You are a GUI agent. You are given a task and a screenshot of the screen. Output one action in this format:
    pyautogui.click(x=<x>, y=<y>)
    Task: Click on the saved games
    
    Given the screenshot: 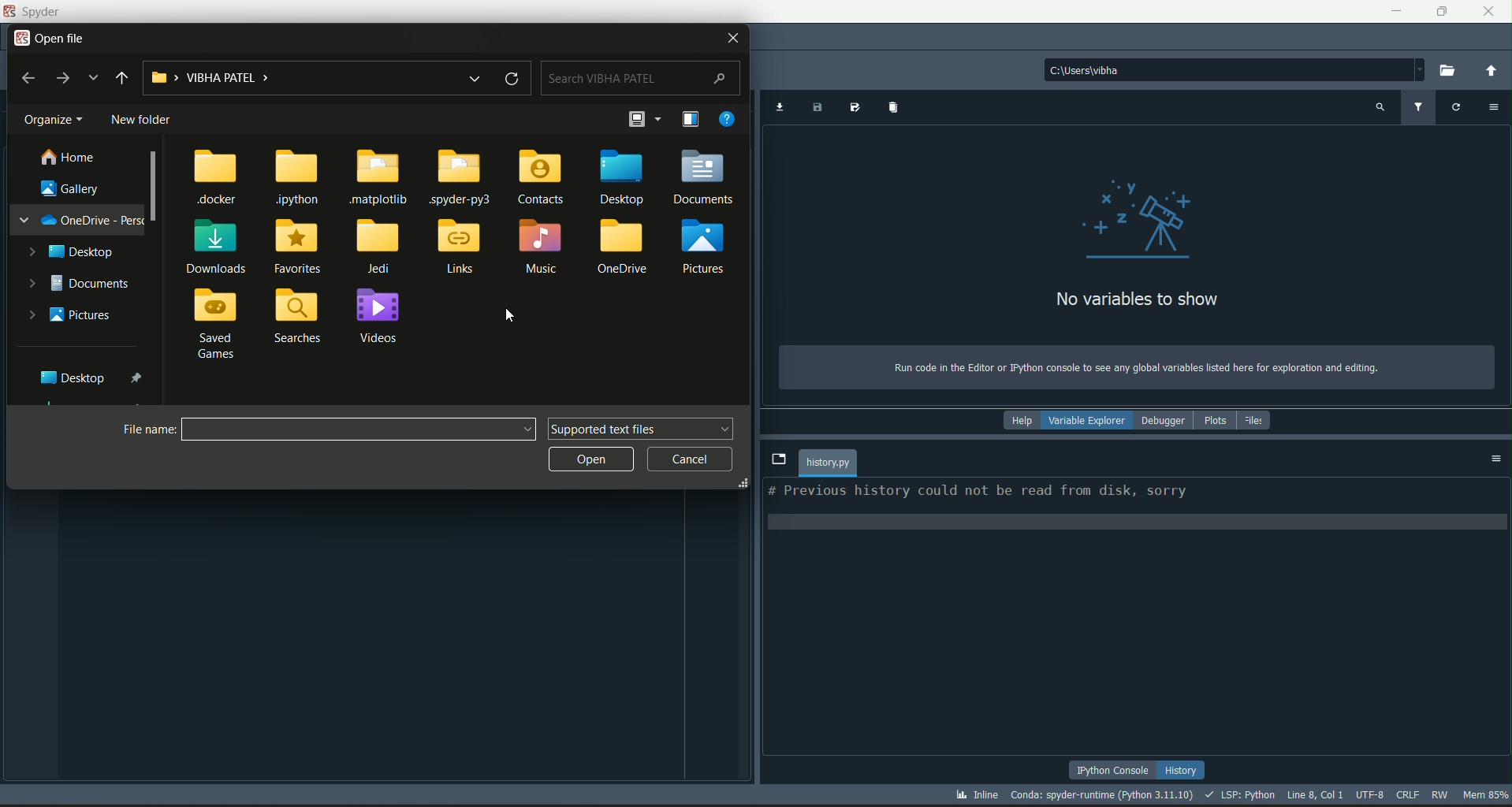 What is the action you would take?
    pyautogui.click(x=218, y=325)
    